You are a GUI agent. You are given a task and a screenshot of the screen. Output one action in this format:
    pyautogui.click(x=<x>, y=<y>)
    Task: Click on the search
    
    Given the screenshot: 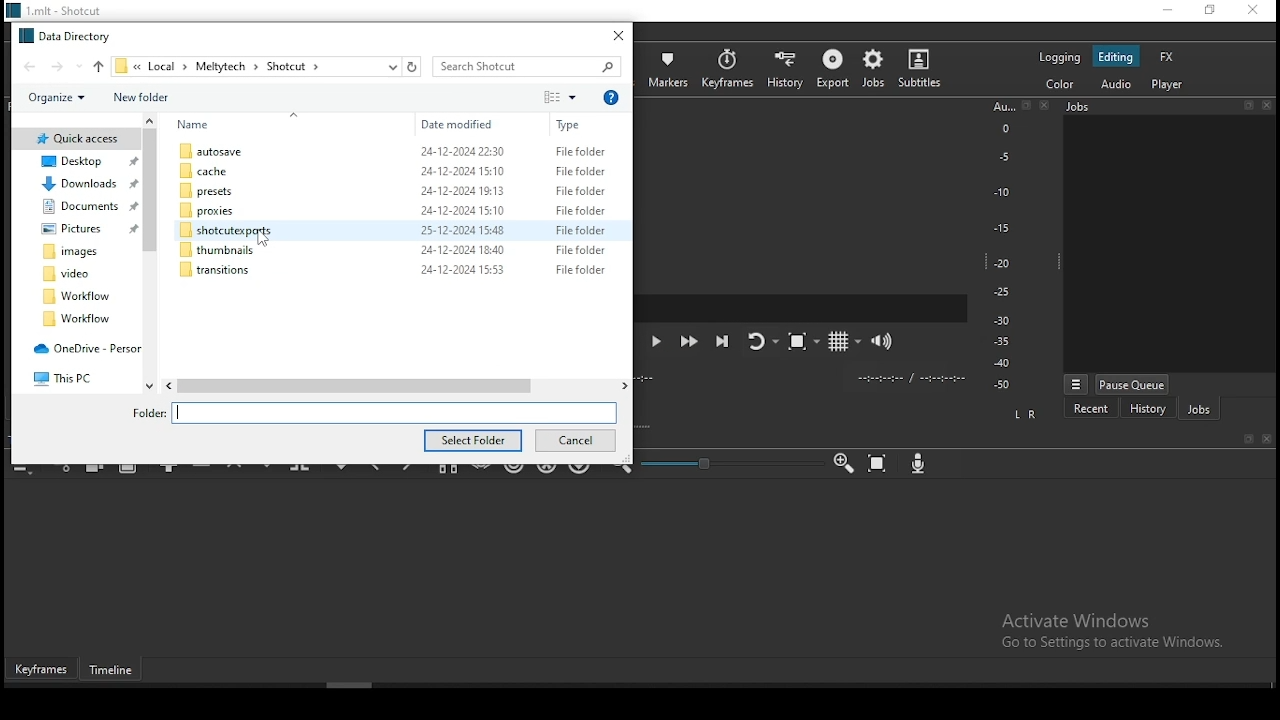 What is the action you would take?
    pyautogui.click(x=532, y=67)
    